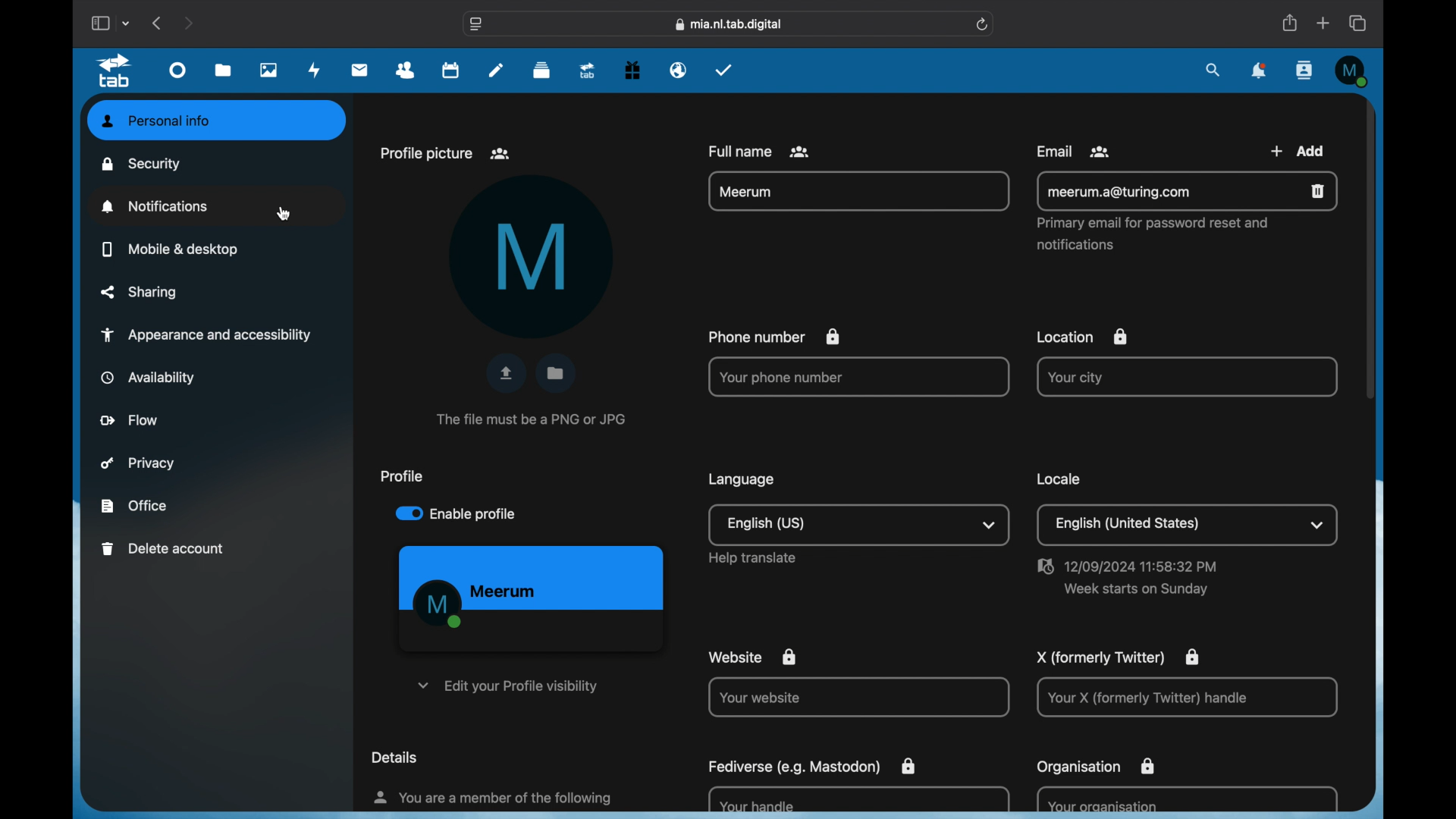 This screenshot has width=1456, height=819. I want to click on profile picture, so click(447, 154).